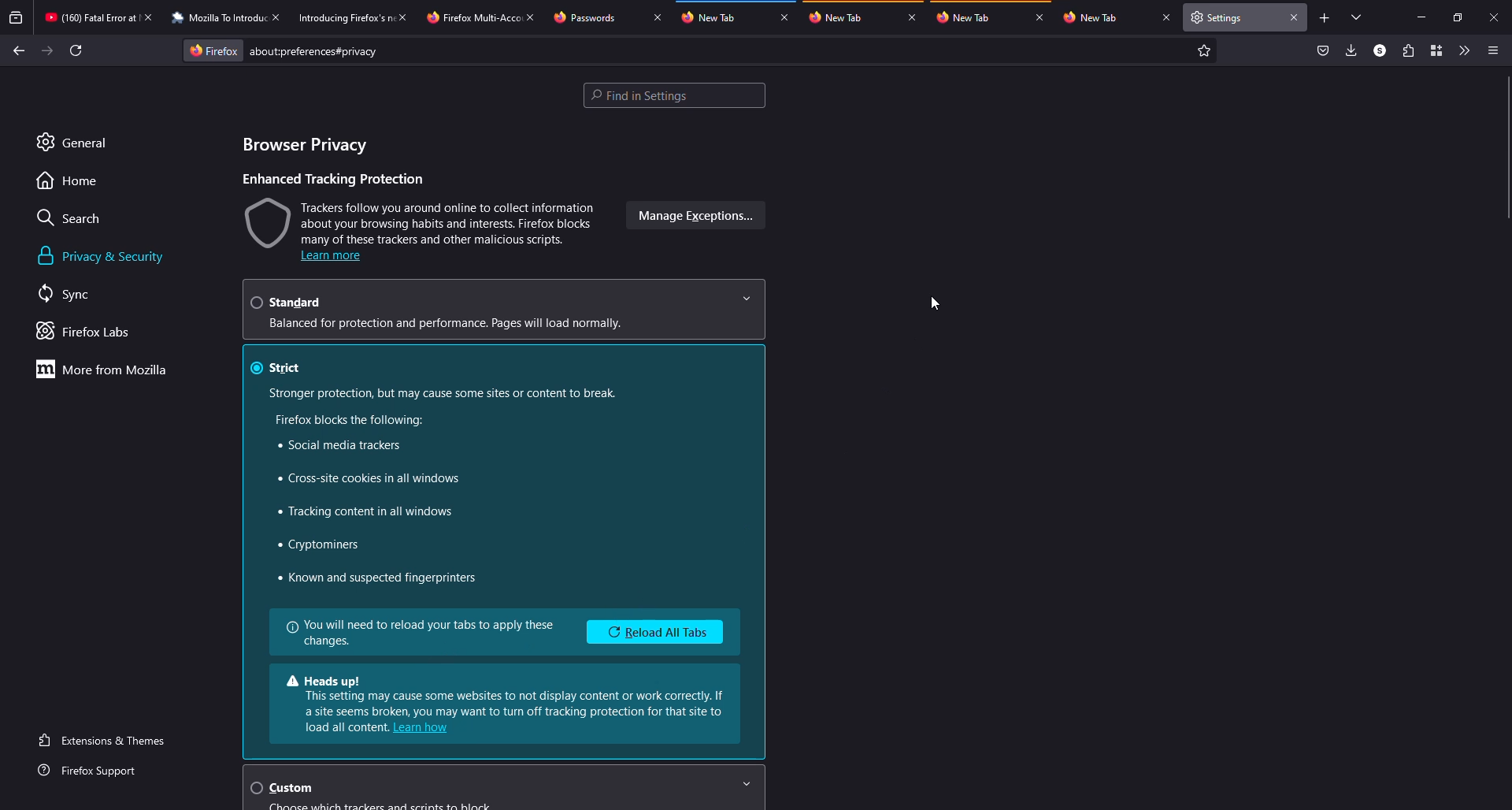 The width and height of the screenshot is (1512, 810). I want to click on themes, so click(106, 741).